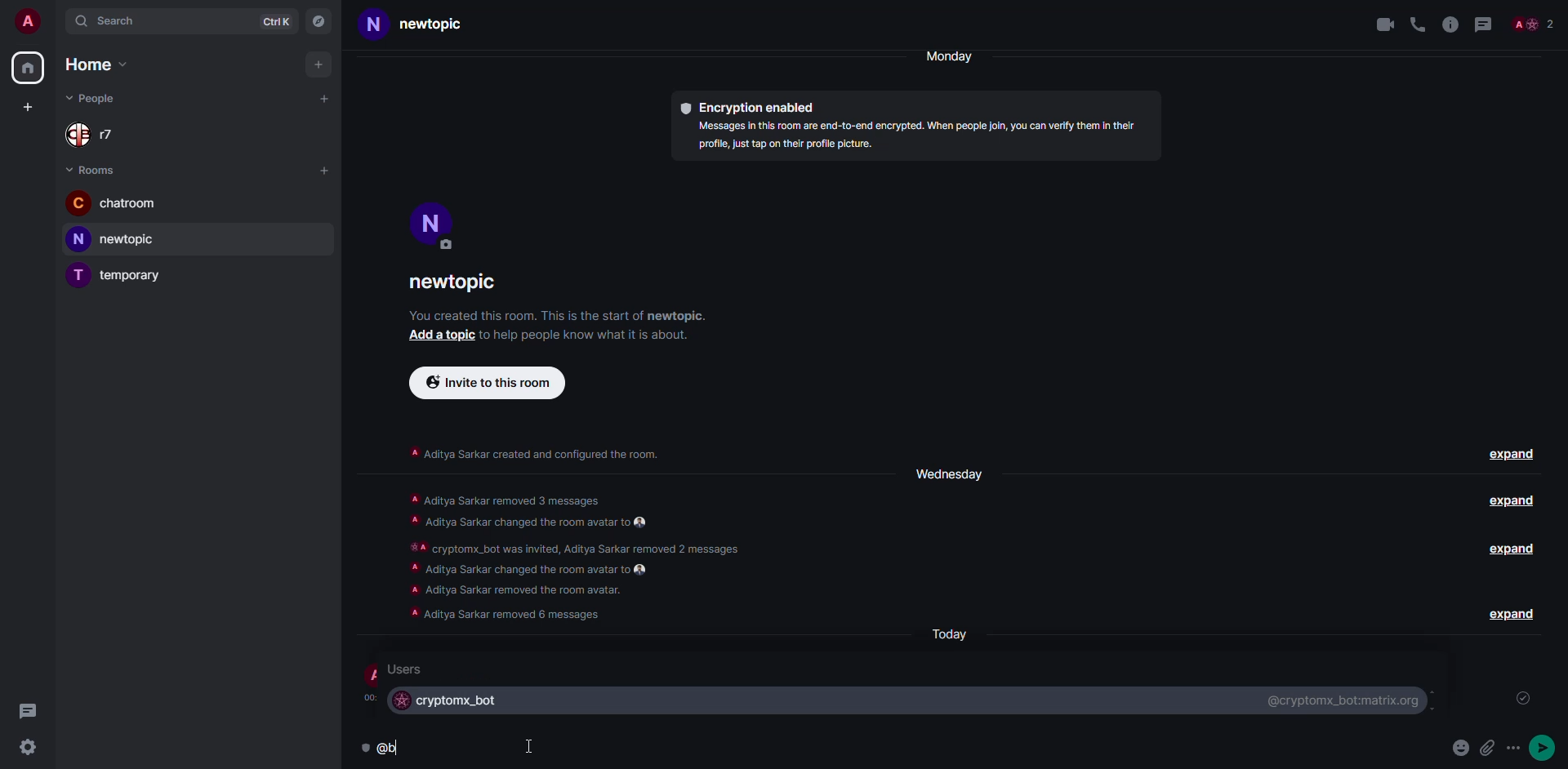 The image size is (1568, 769). What do you see at coordinates (98, 134) in the screenshot?
I see `people` at bounding box center [98, 134].